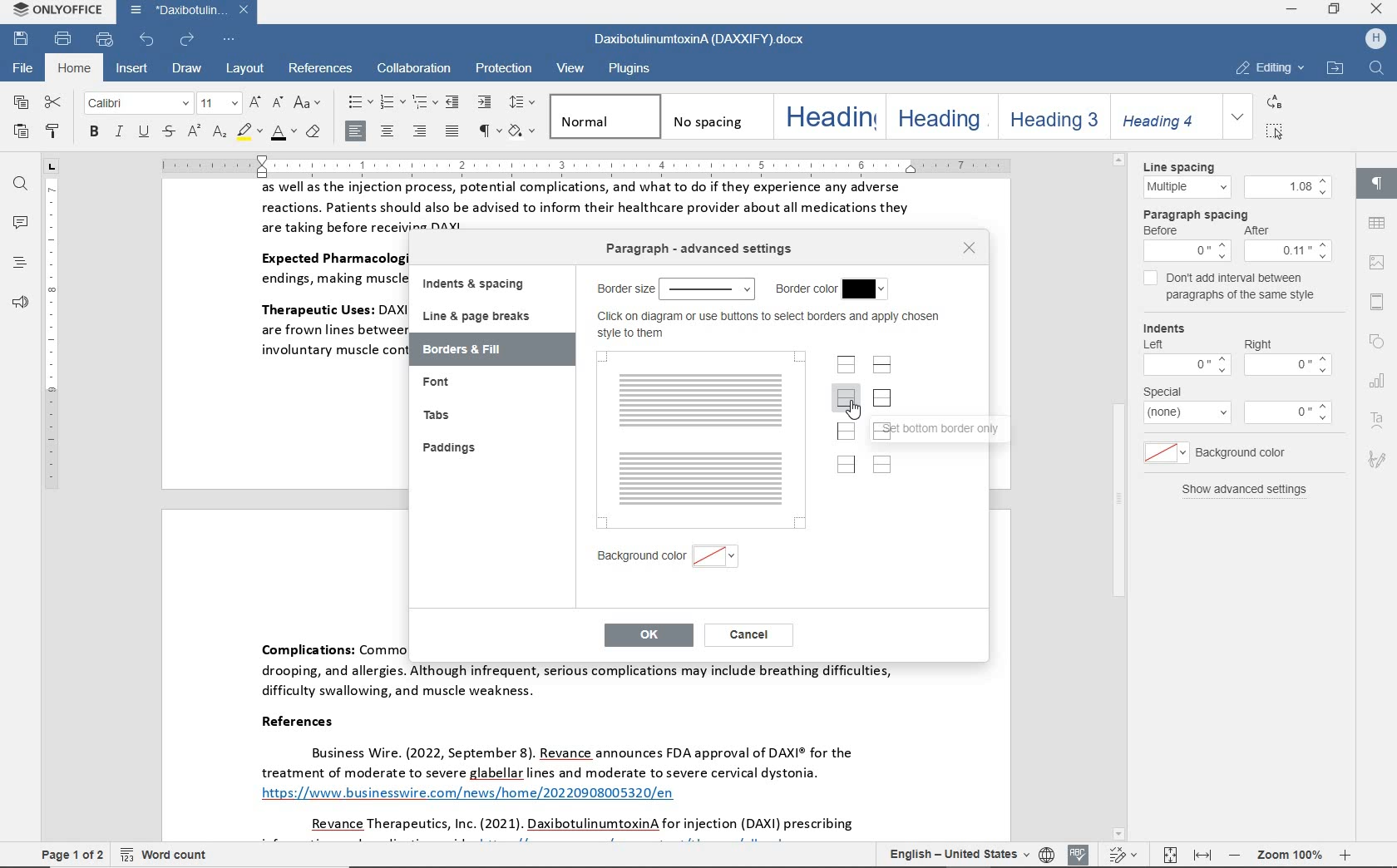  I want to click on bottom border only, so click(955, 429).